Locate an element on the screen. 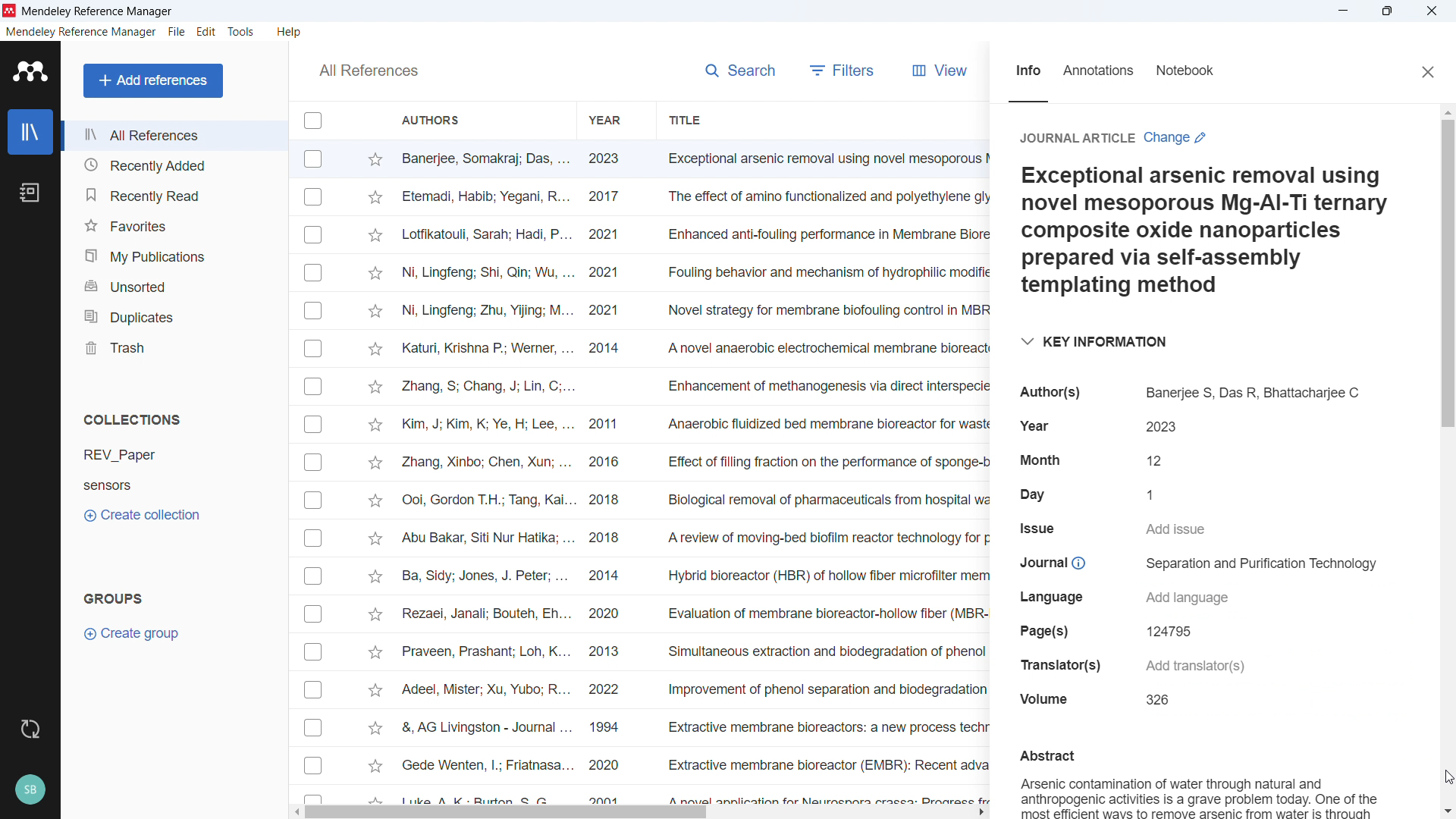 Image resolution: width=1456 pixels, height=819 pixels. evaluation of membrane bioreactor hollow fiber pilot performance is located at coordinates (826, 614).